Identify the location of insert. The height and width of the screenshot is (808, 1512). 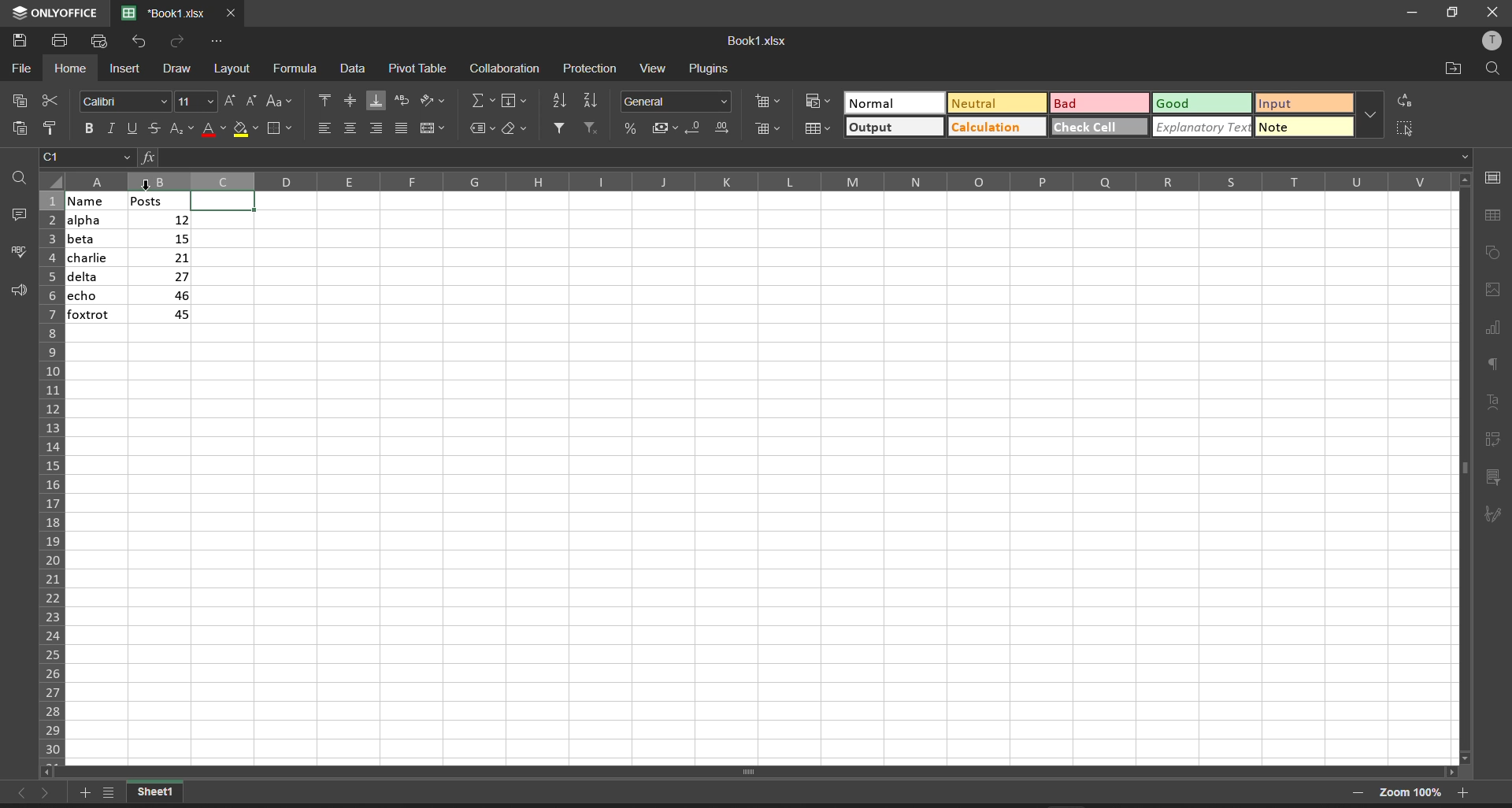
(126, 68).